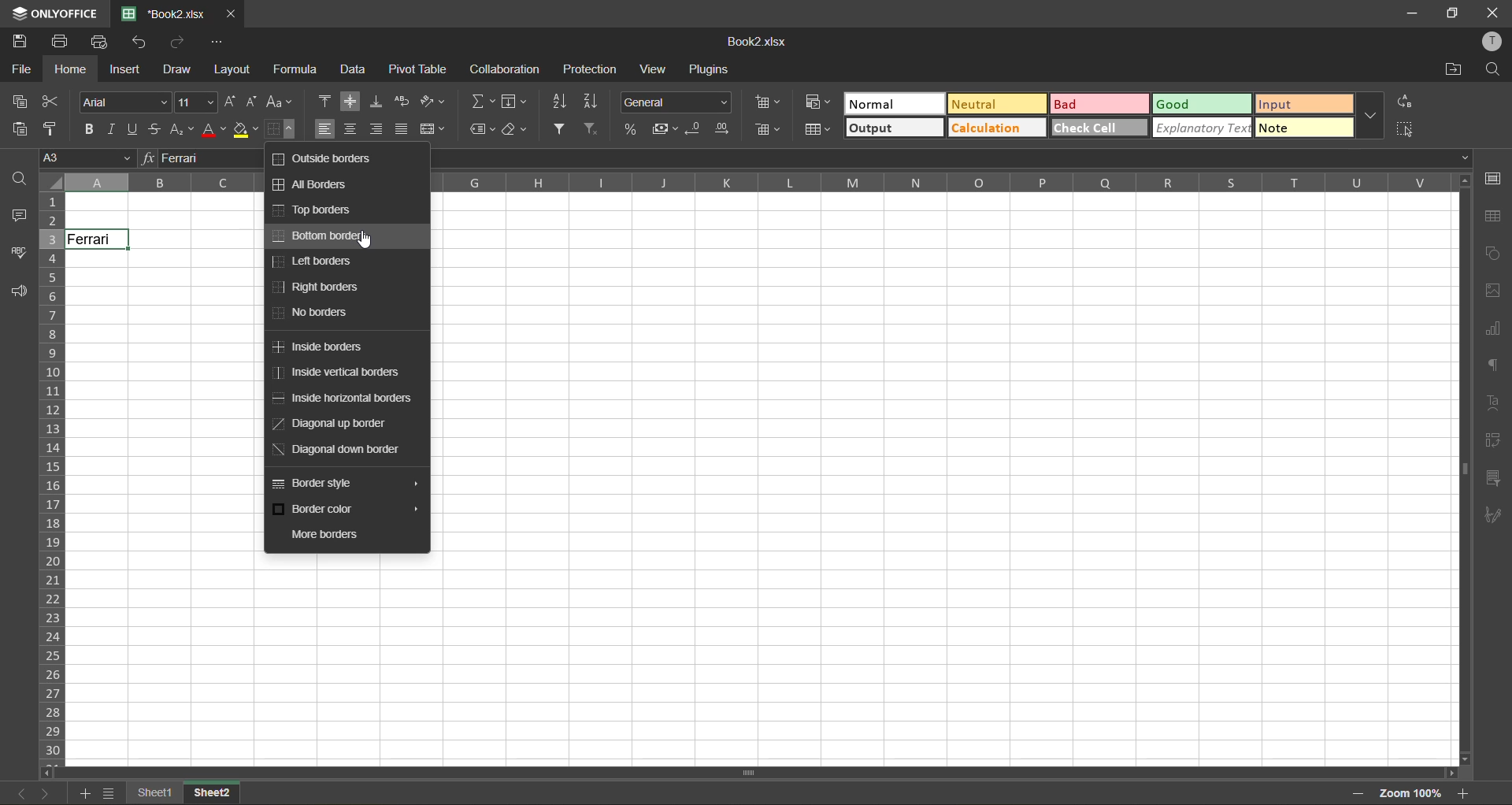 The width and height of the screenshot is (1512, 805). I want to click on inside borders, so click(320, 347).